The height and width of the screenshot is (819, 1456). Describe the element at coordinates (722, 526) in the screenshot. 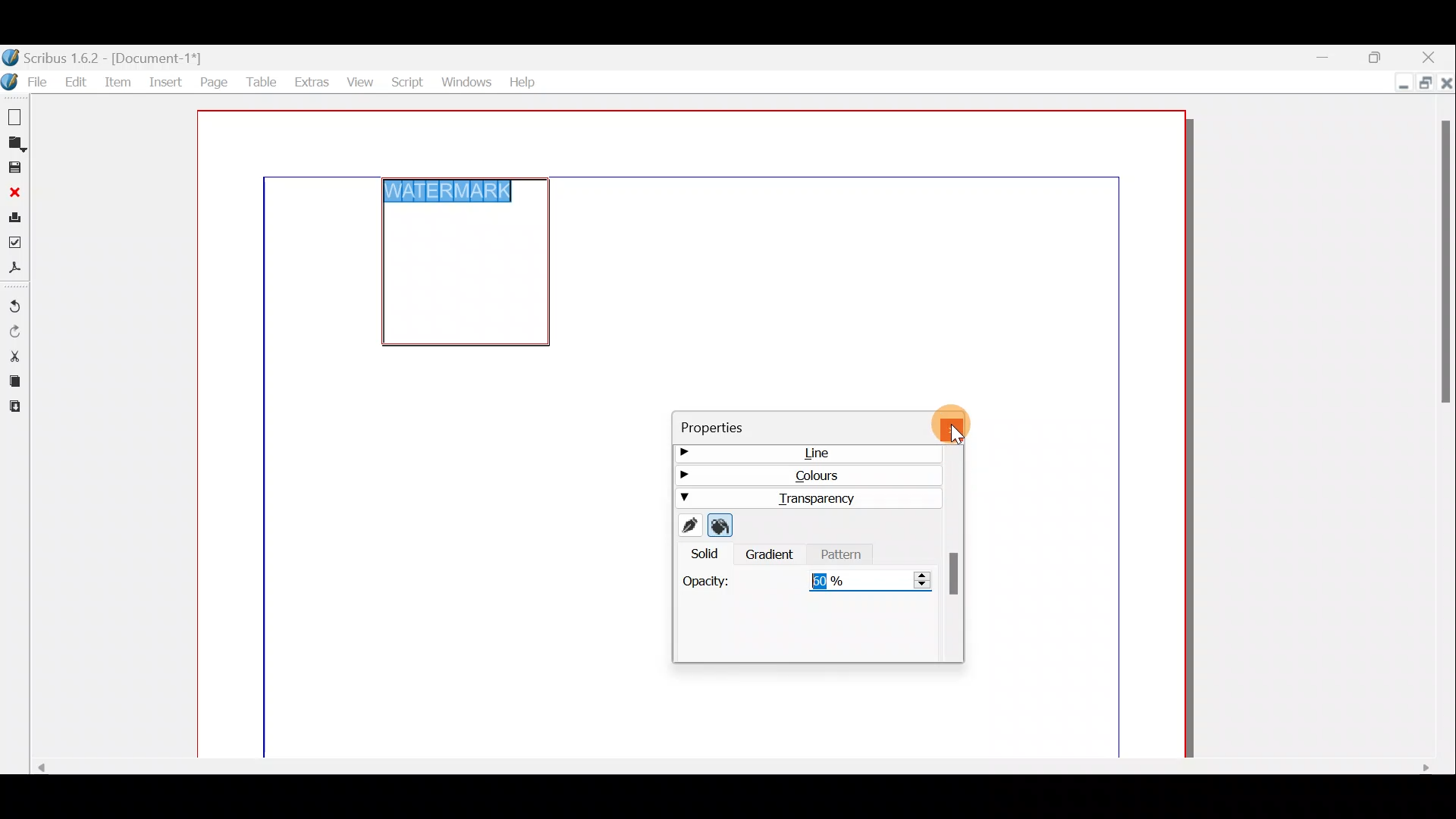

I see `Edit fill colour properties` at that location.